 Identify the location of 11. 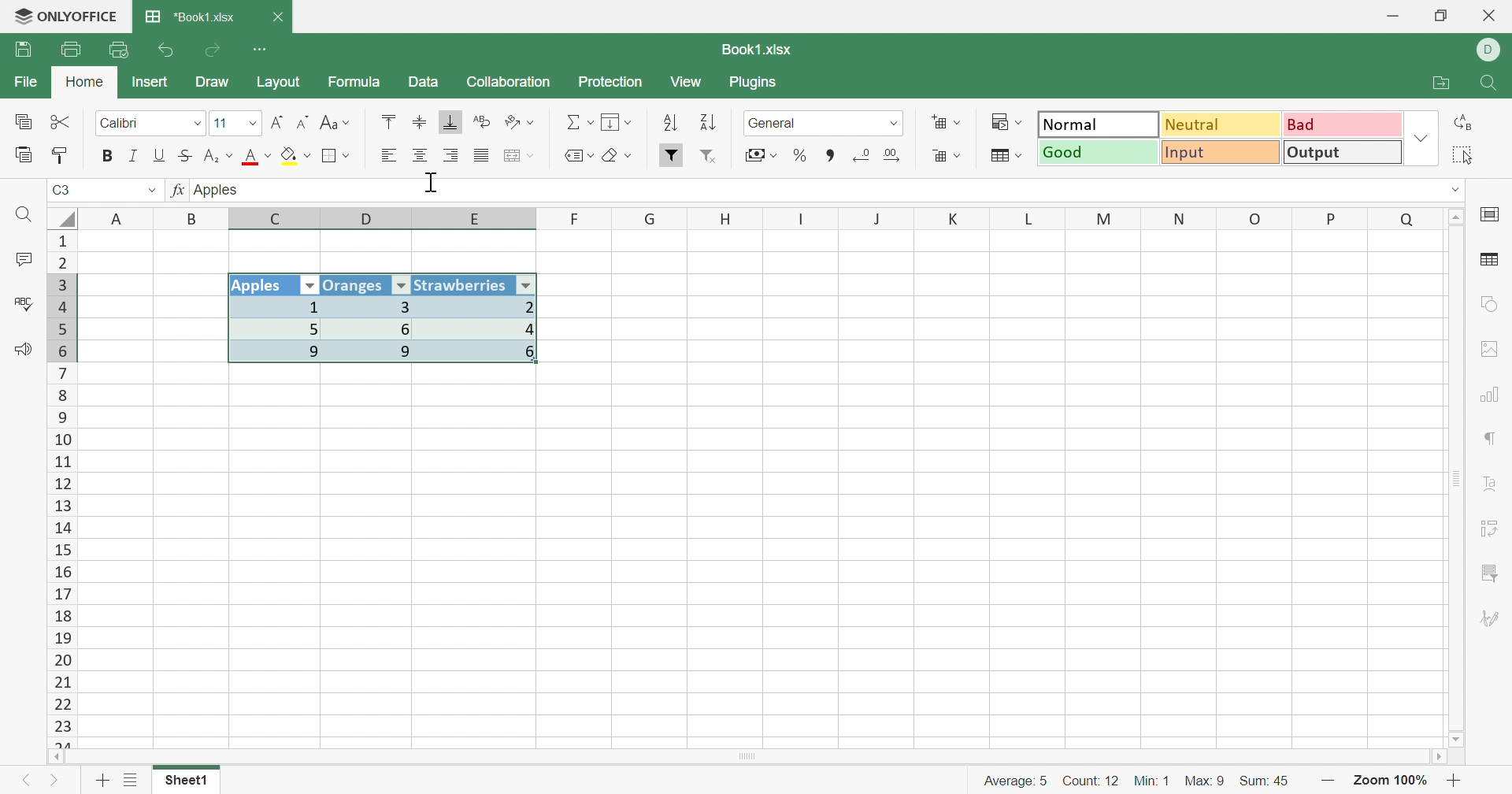
(220, 123).